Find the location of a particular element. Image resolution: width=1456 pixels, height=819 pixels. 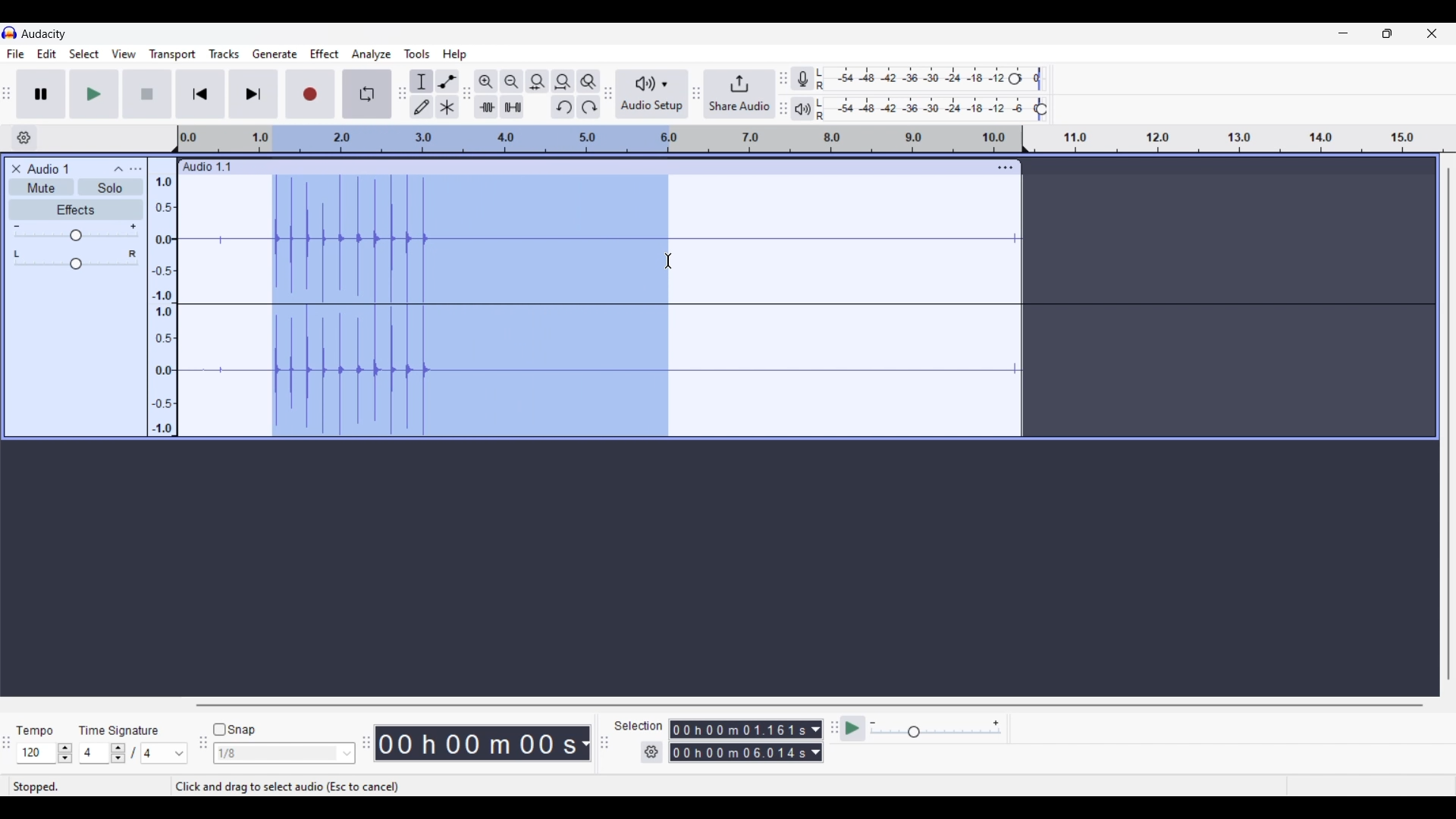

View menu is located at coordinates (124, 55).